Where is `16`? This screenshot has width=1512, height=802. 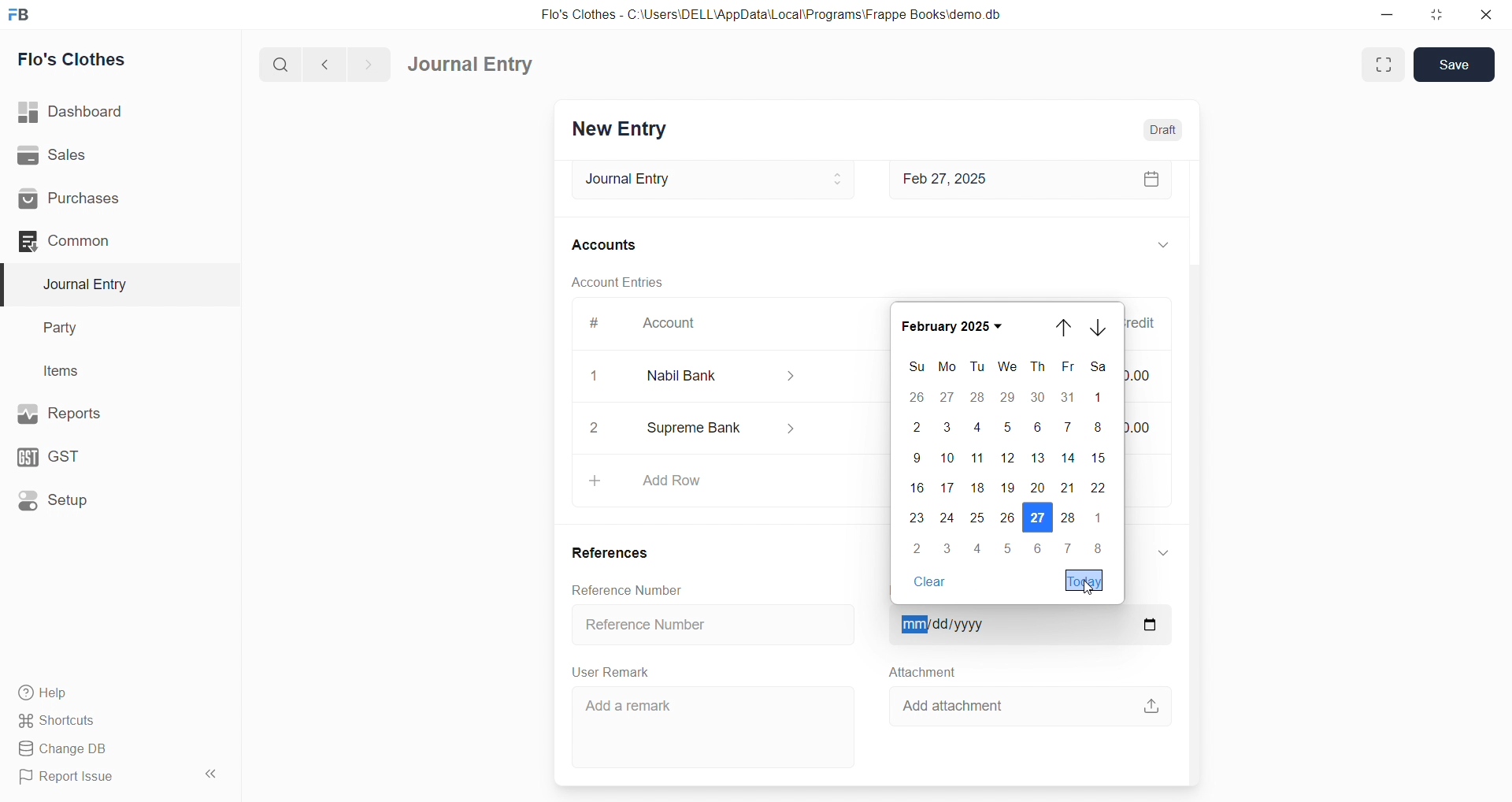 16 is located at coordinates (916, 488).